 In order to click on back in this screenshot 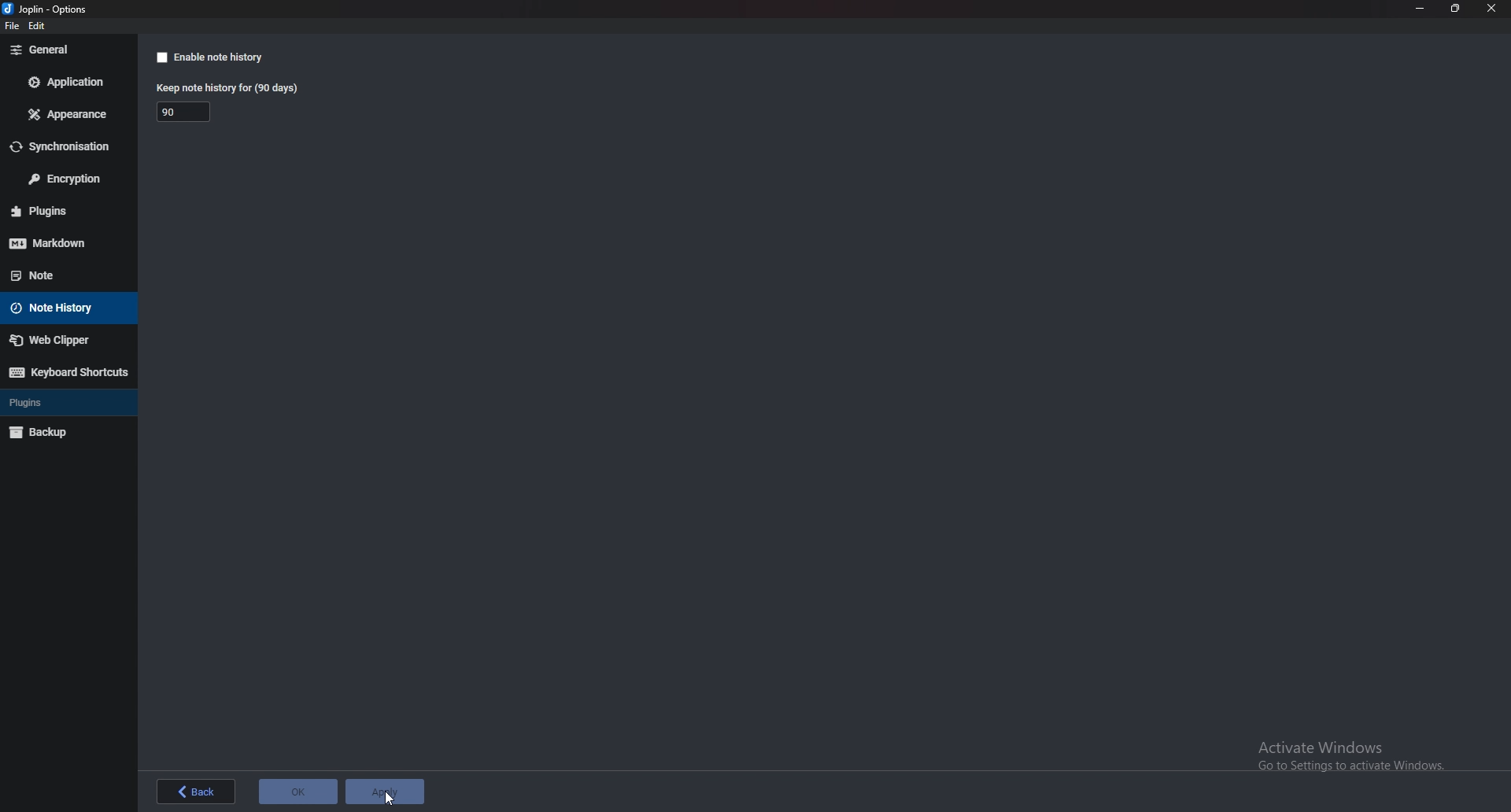, I will do `click(196, 792)`.